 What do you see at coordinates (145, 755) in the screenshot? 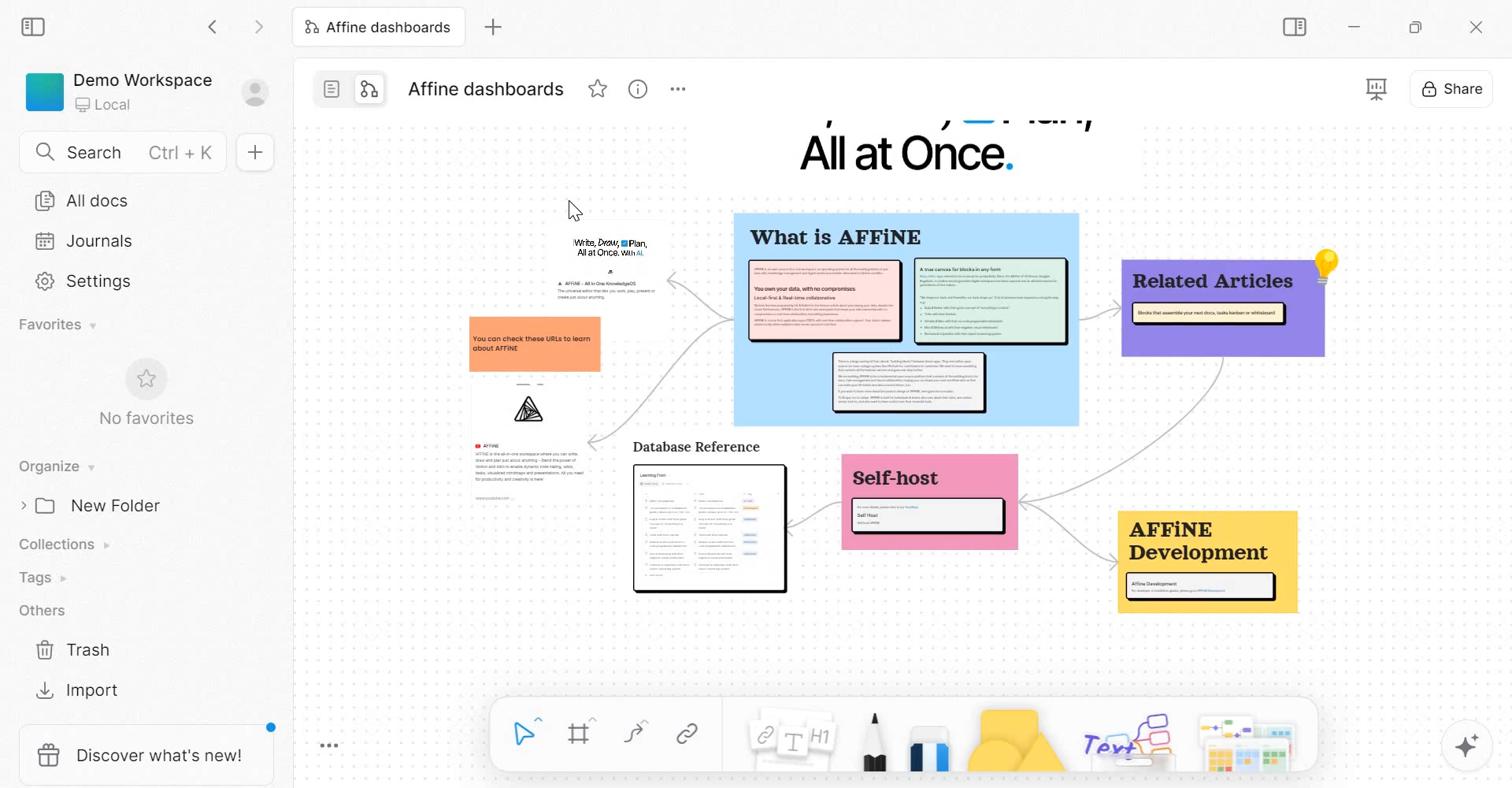
I see `discover what's new!` at bounding box center [145, 755].